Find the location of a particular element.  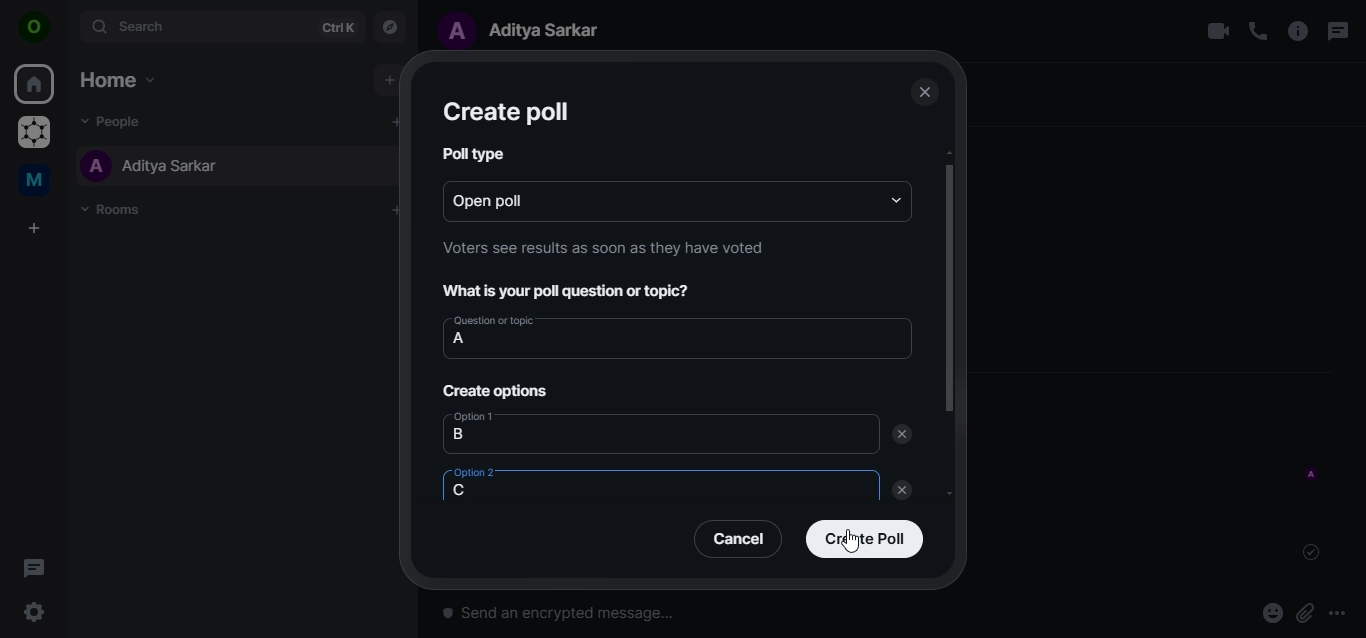

create a space is located at coordinates (37, 229).